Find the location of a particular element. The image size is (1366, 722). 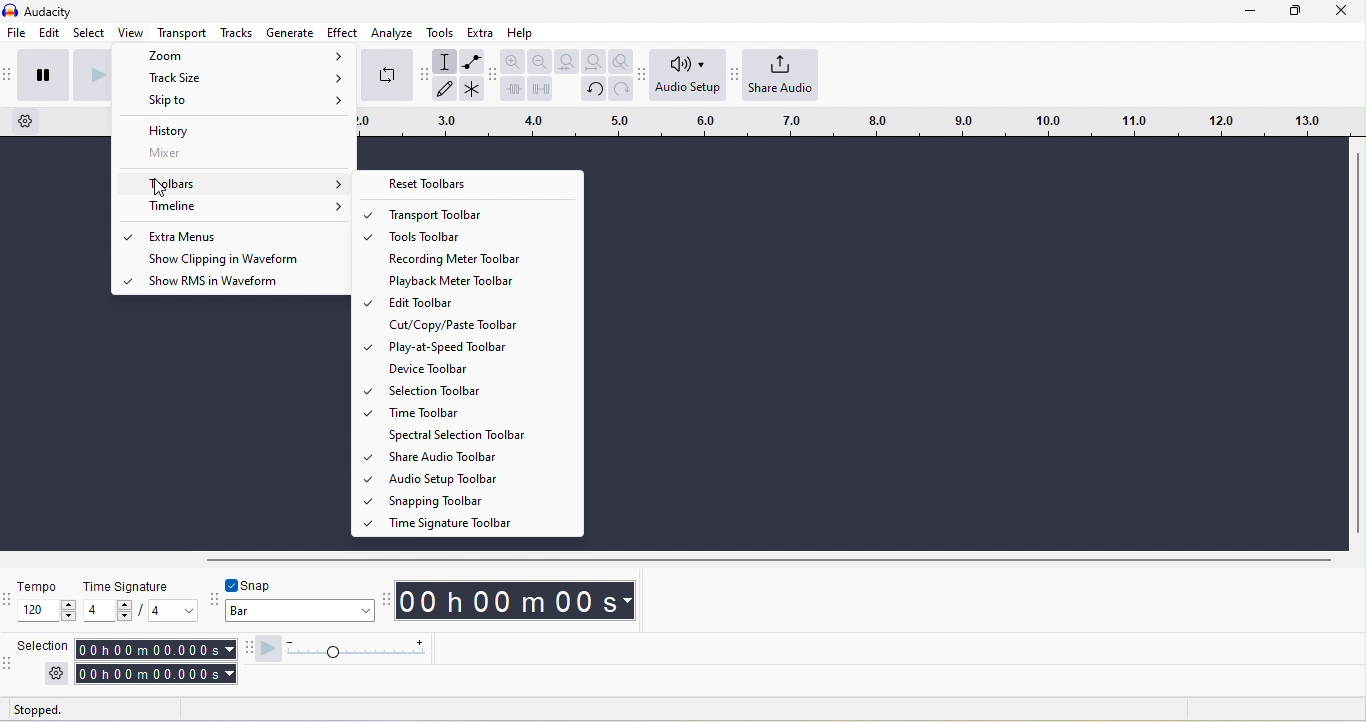

Show clipping in waveform  is located at coordinates (242, 259).